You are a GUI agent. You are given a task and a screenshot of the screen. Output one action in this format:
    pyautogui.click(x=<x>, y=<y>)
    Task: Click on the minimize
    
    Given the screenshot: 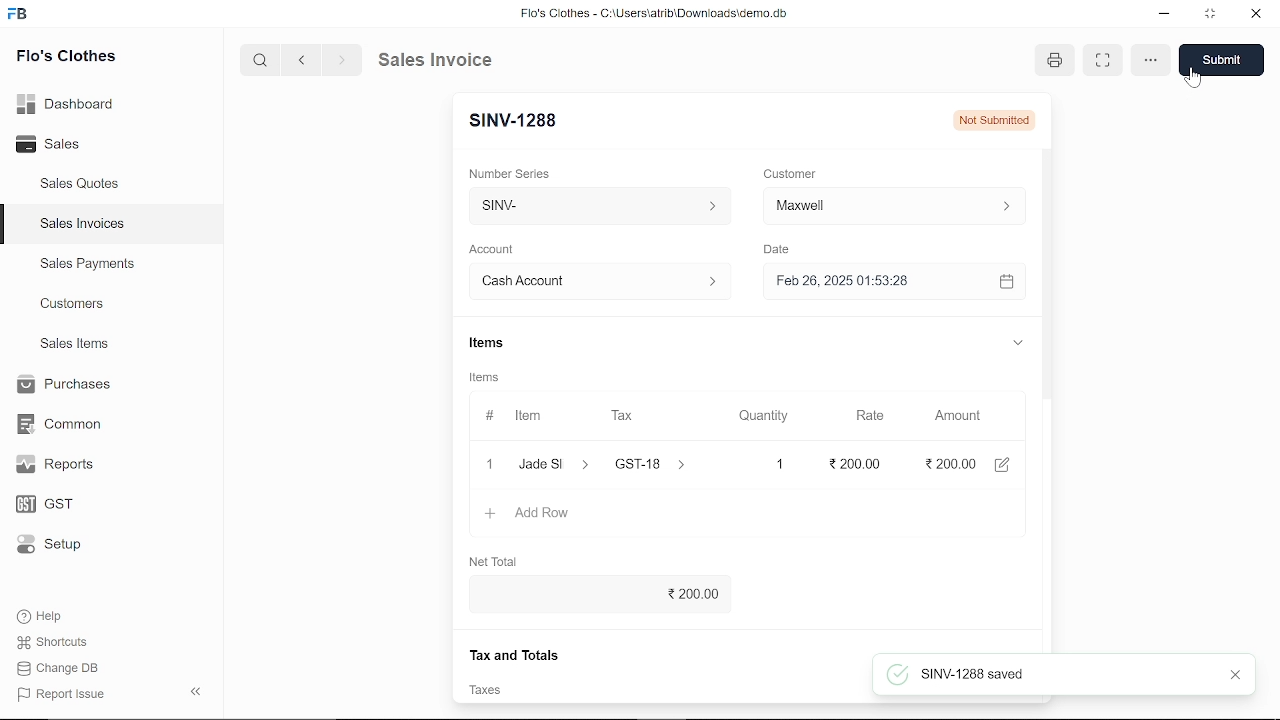 What is the action you would take?
    pyautogui.click(x=1166, y=16)
    